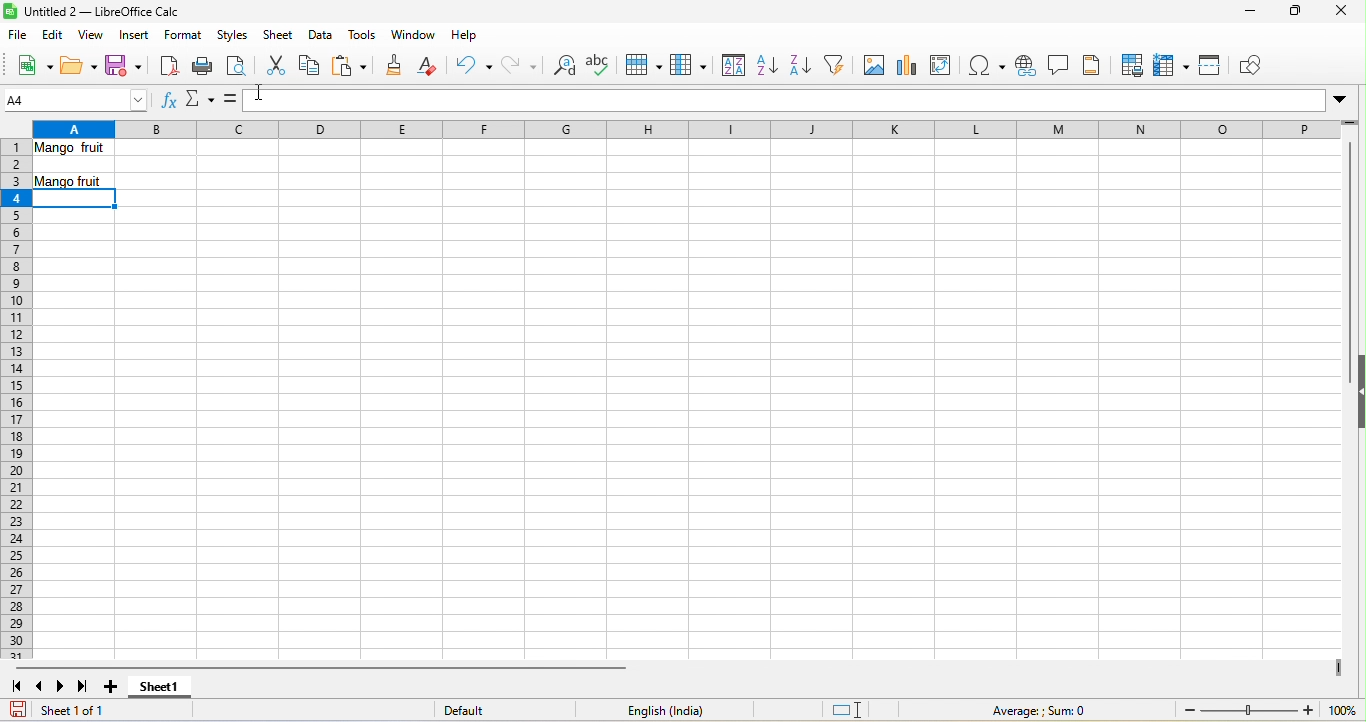 The height and width of the screenshot is (722, 1366). I want to click on sort descending, so click(800, 67).